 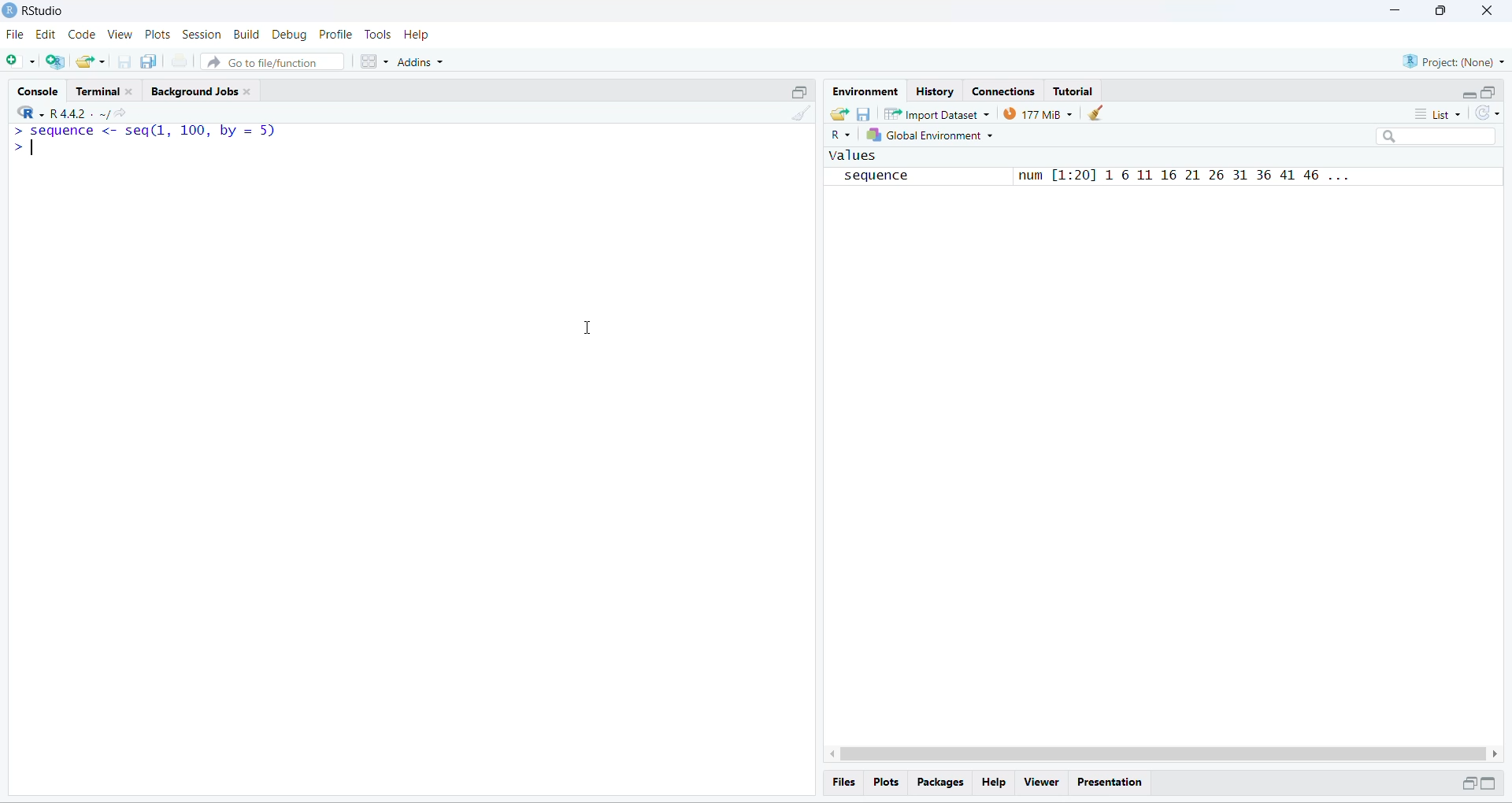 What do you see at coordinates (22, 146) in the screenshot?
I see `>` at bounding box center [22, 146].